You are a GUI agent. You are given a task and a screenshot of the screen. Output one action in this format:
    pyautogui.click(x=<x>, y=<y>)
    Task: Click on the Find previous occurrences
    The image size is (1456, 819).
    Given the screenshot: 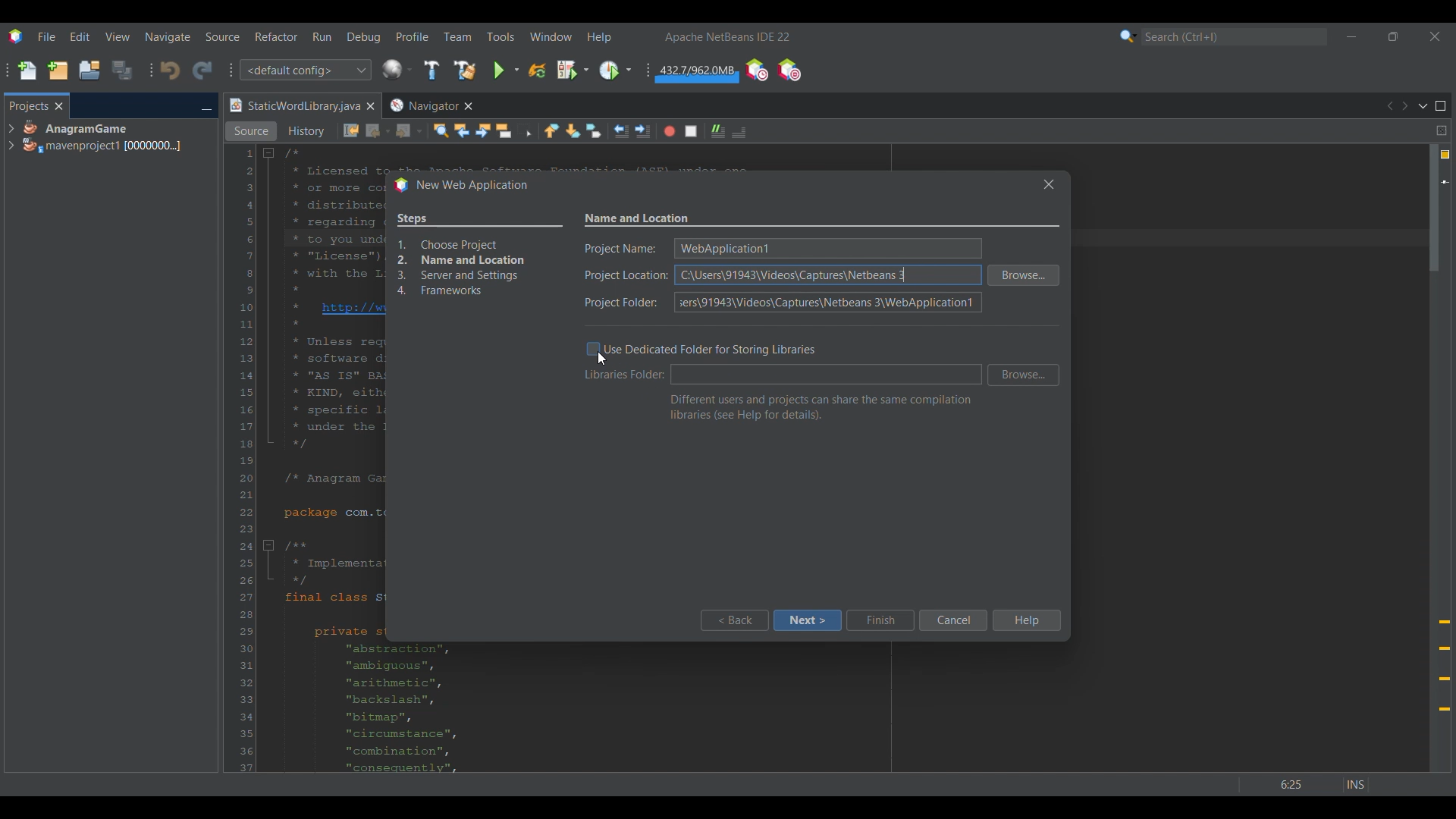 What is the action you would take?
    pyautogui.click(x=462, y=130)
    